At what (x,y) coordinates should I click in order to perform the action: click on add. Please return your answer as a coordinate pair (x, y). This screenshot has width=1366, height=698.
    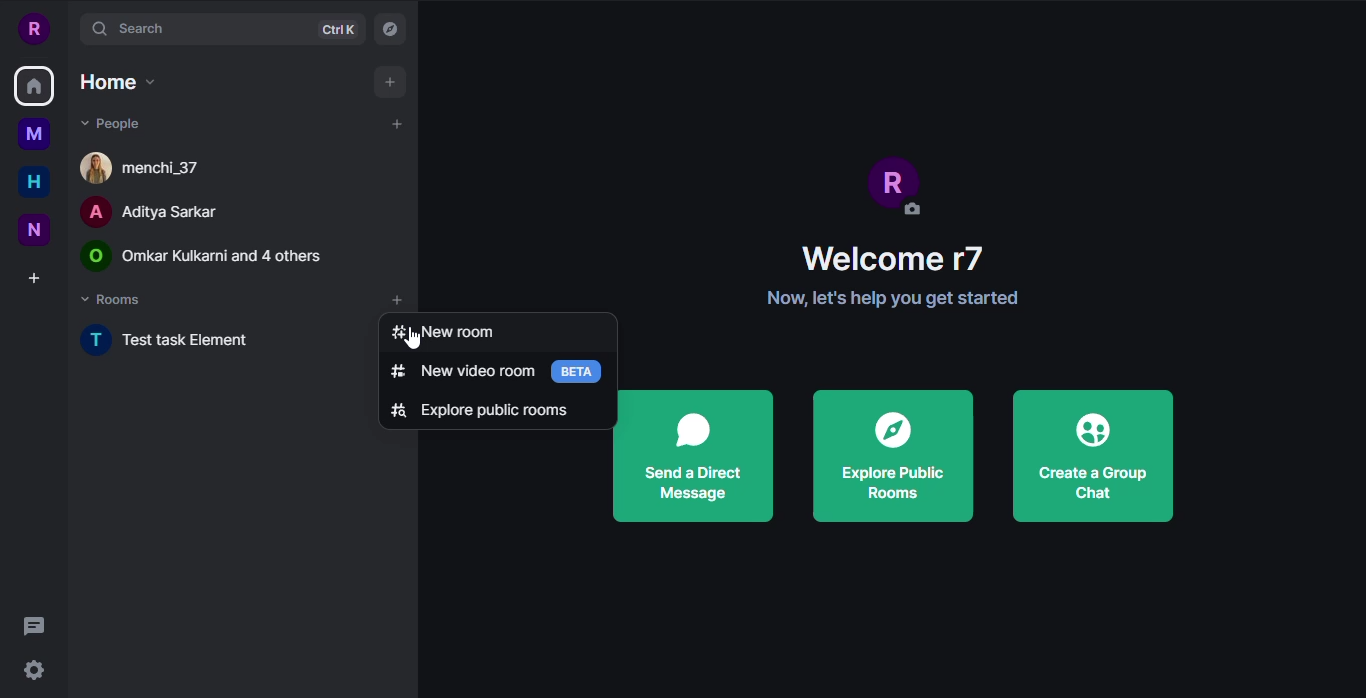
    Looking at the image, I should click on (400, 299).